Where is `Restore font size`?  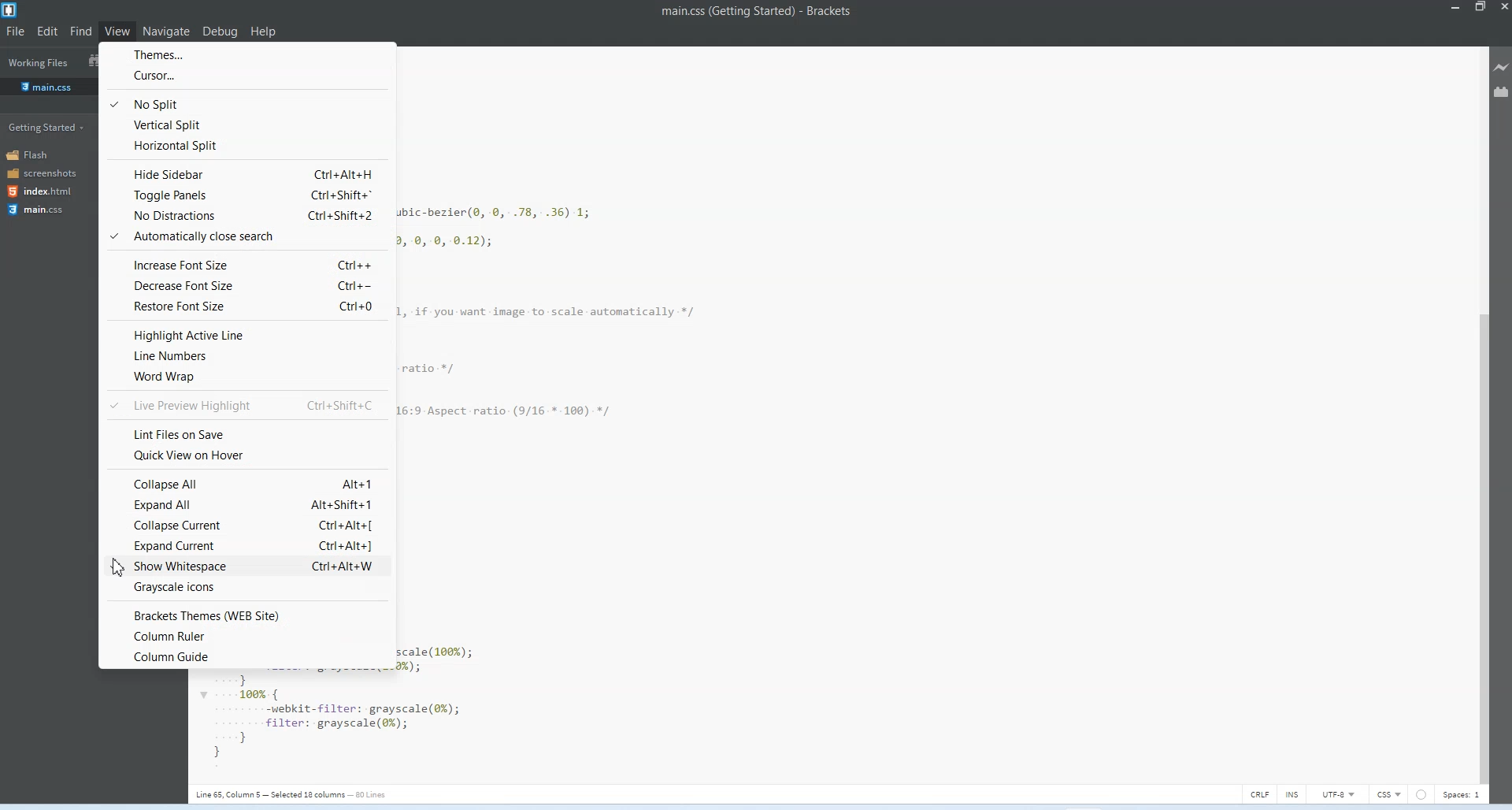 Restore font size is located at coordinates (245, 307).